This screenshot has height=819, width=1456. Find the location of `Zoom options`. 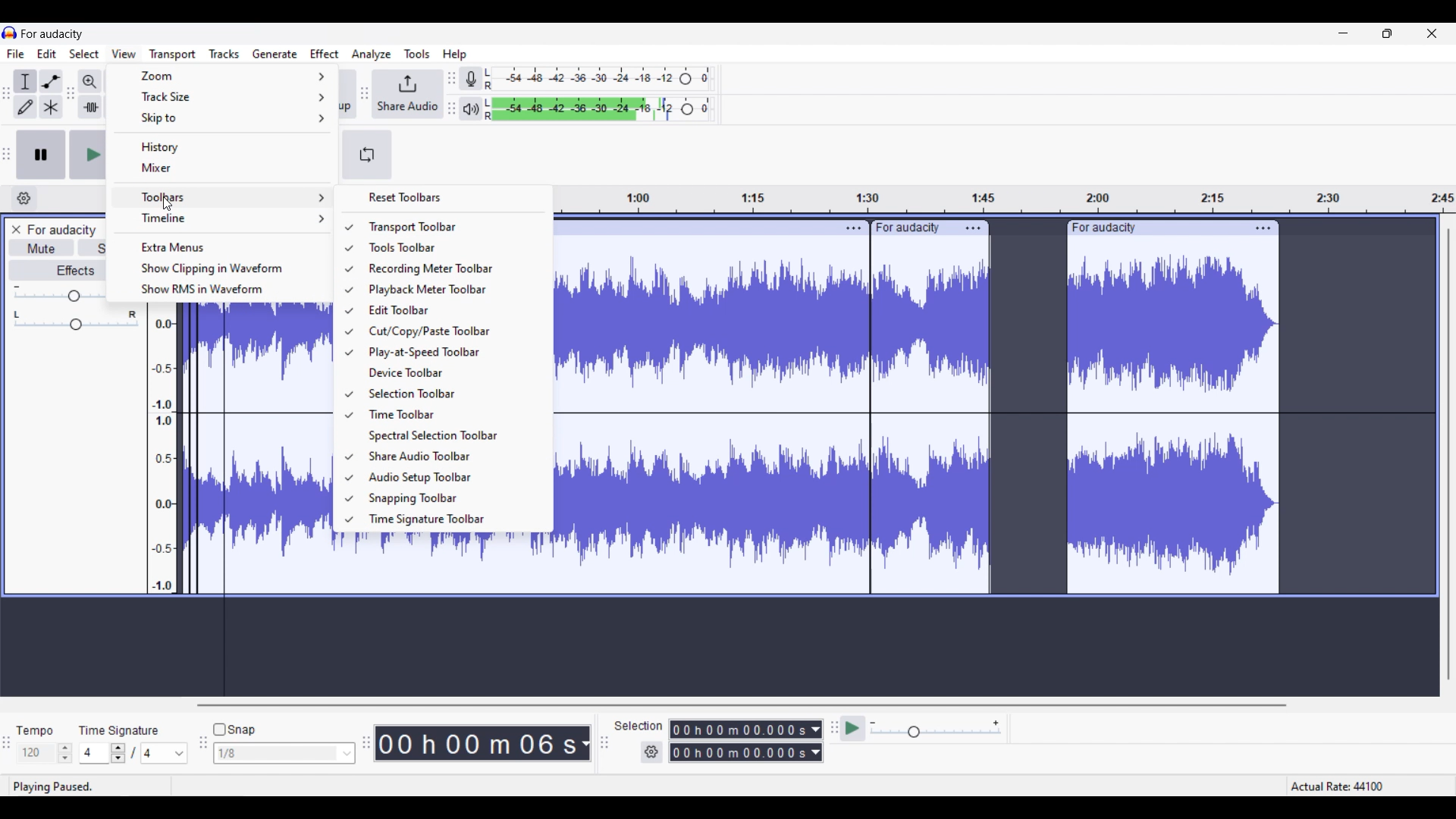

Zoom options is located at coordinates (222, 77).